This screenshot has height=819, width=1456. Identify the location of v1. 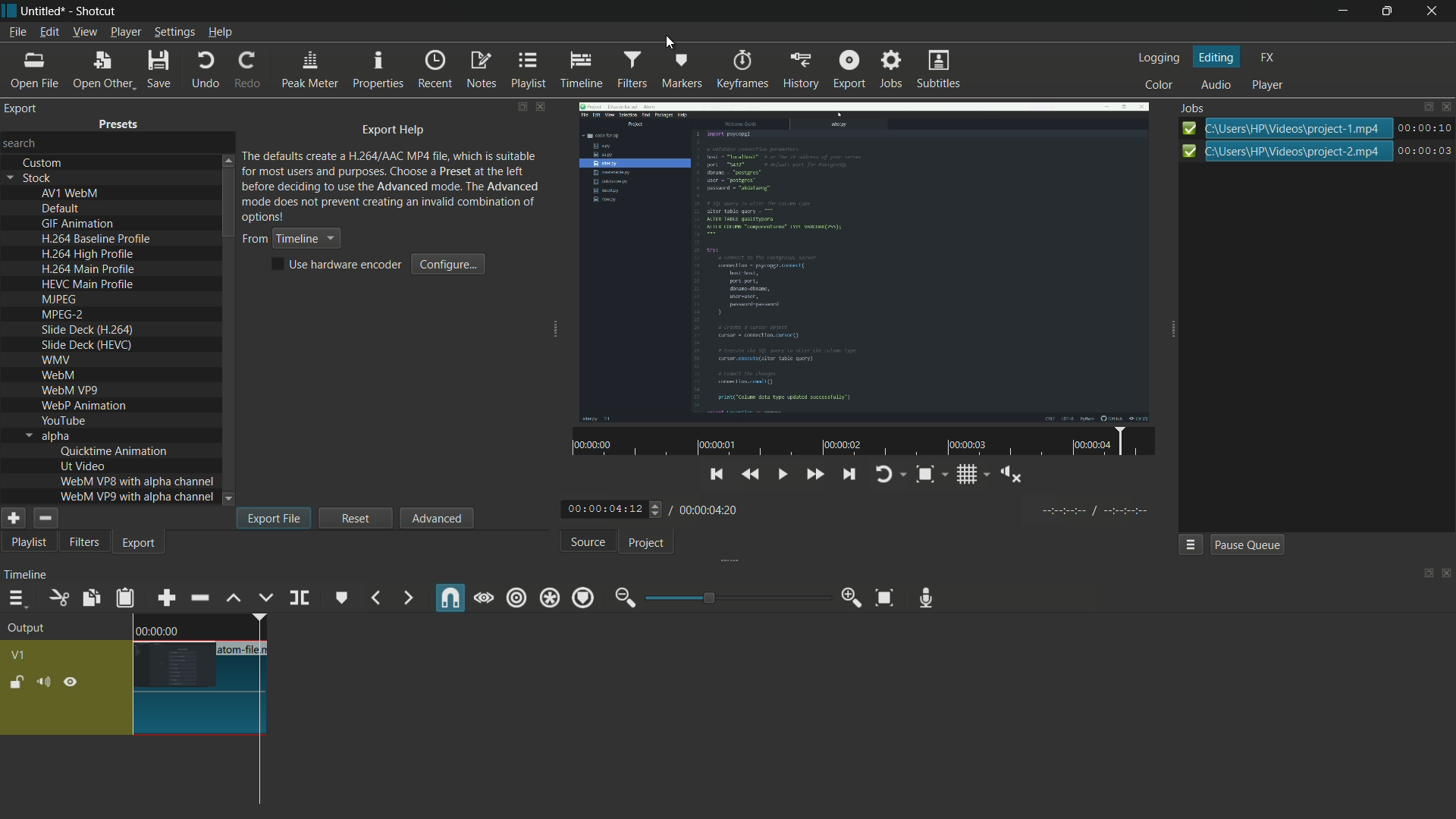
(17, 654).